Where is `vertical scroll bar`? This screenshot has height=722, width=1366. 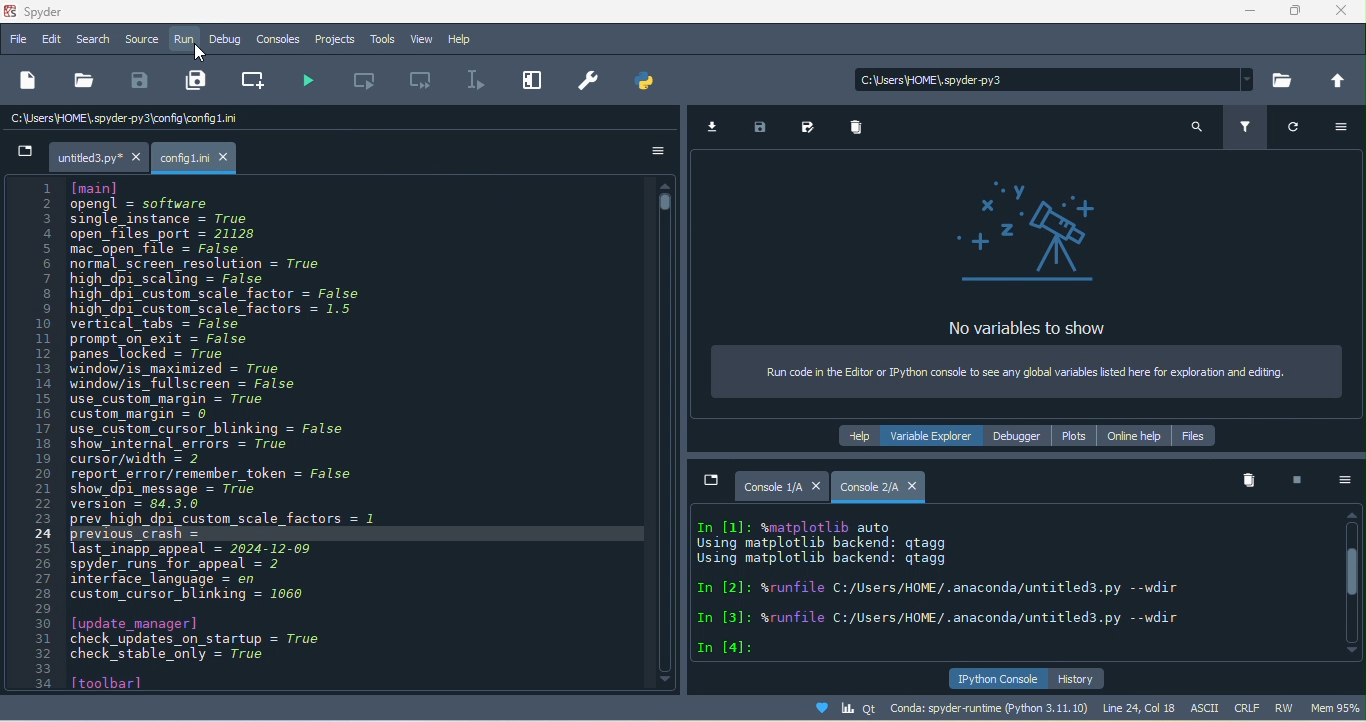
vertical scroll bar is located at coordinates (1350, 581).